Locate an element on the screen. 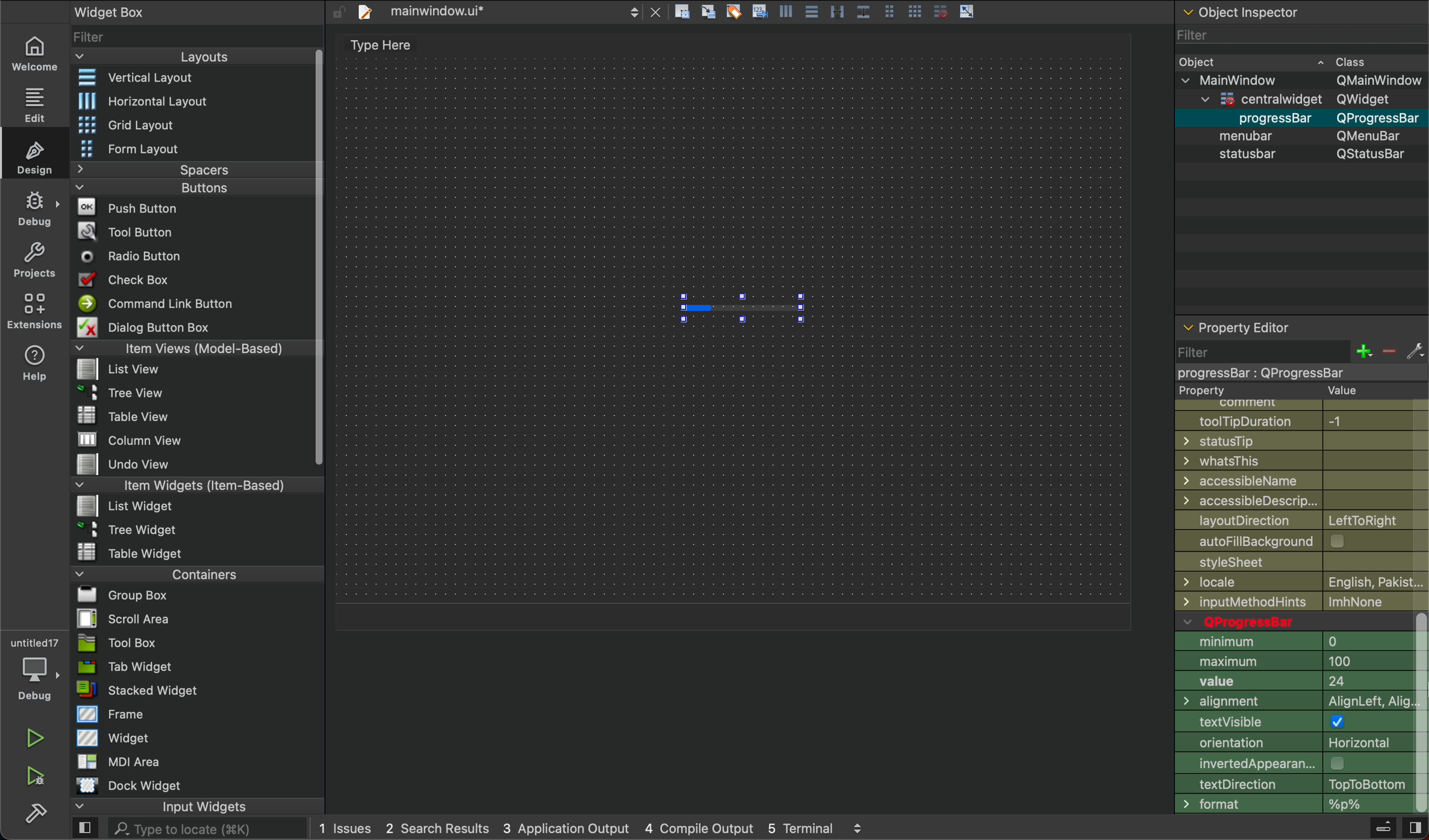  appereance is located at coordinates (1293, 763).